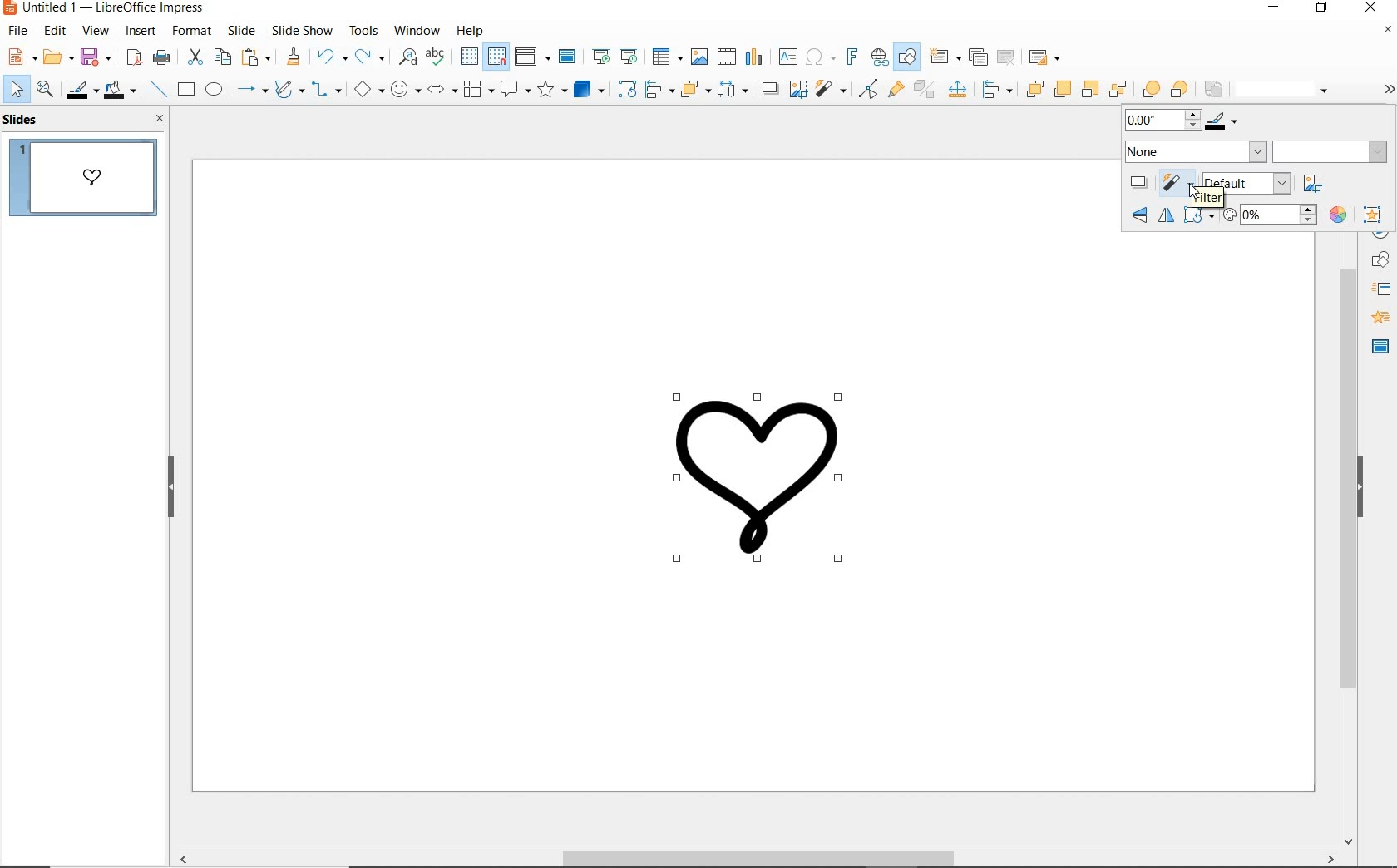 Image resolution: width=1397 pixels, height=868 pixels. I want to click on callout shapes, so click(515, 88).